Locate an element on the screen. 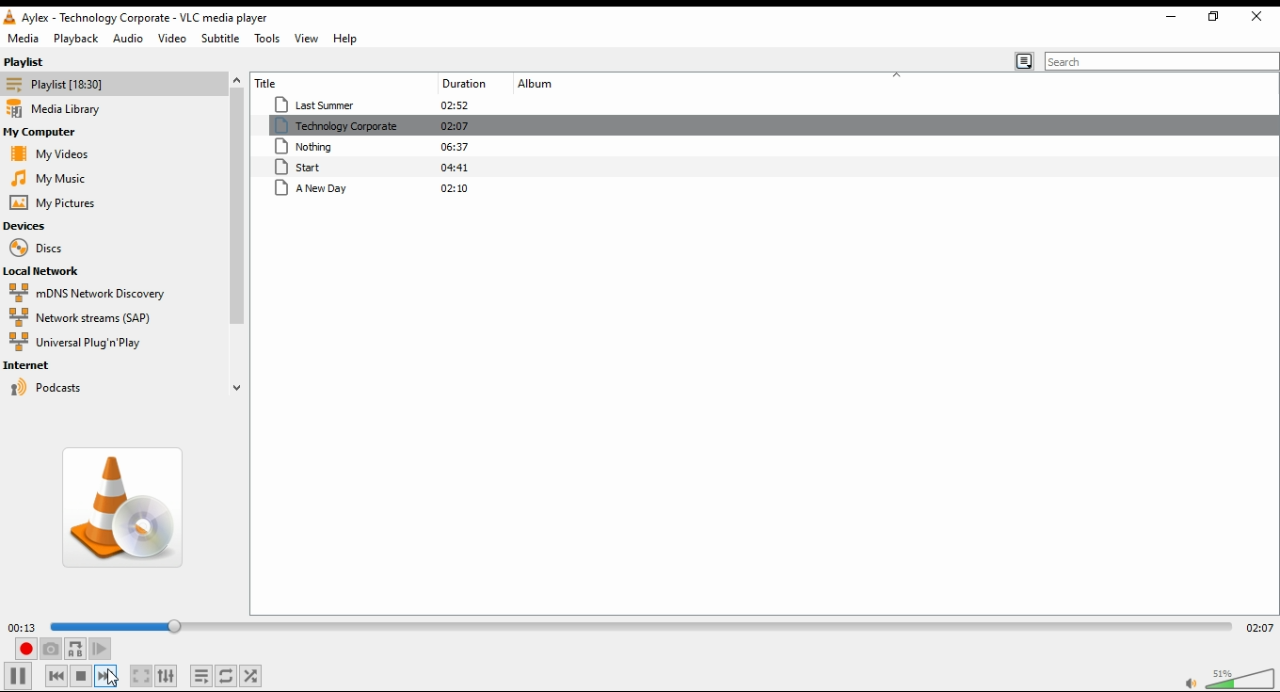  mDNS network discovery is located at coordinates (83, 293).